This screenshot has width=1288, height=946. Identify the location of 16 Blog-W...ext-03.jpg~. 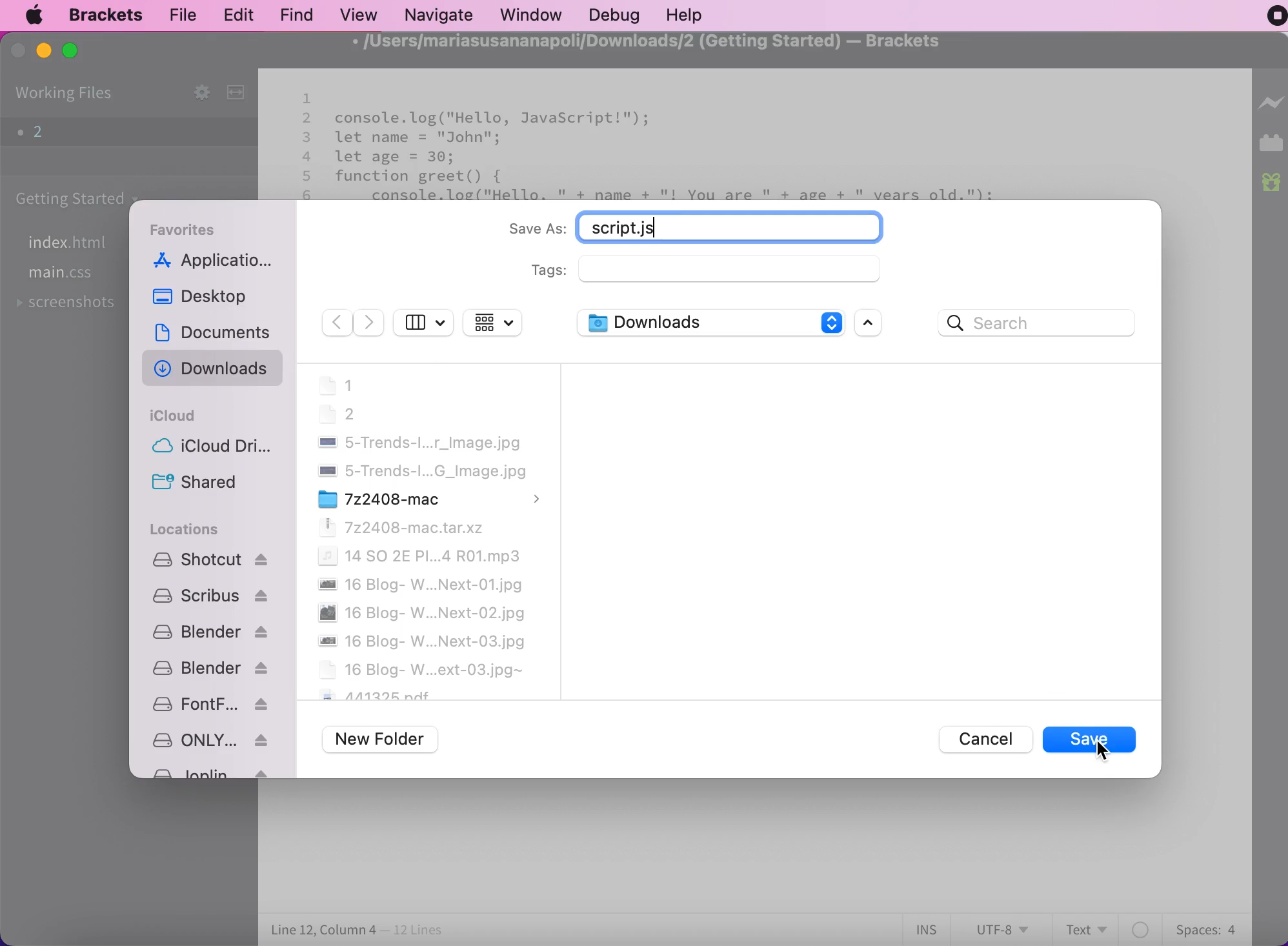
(421, 669).